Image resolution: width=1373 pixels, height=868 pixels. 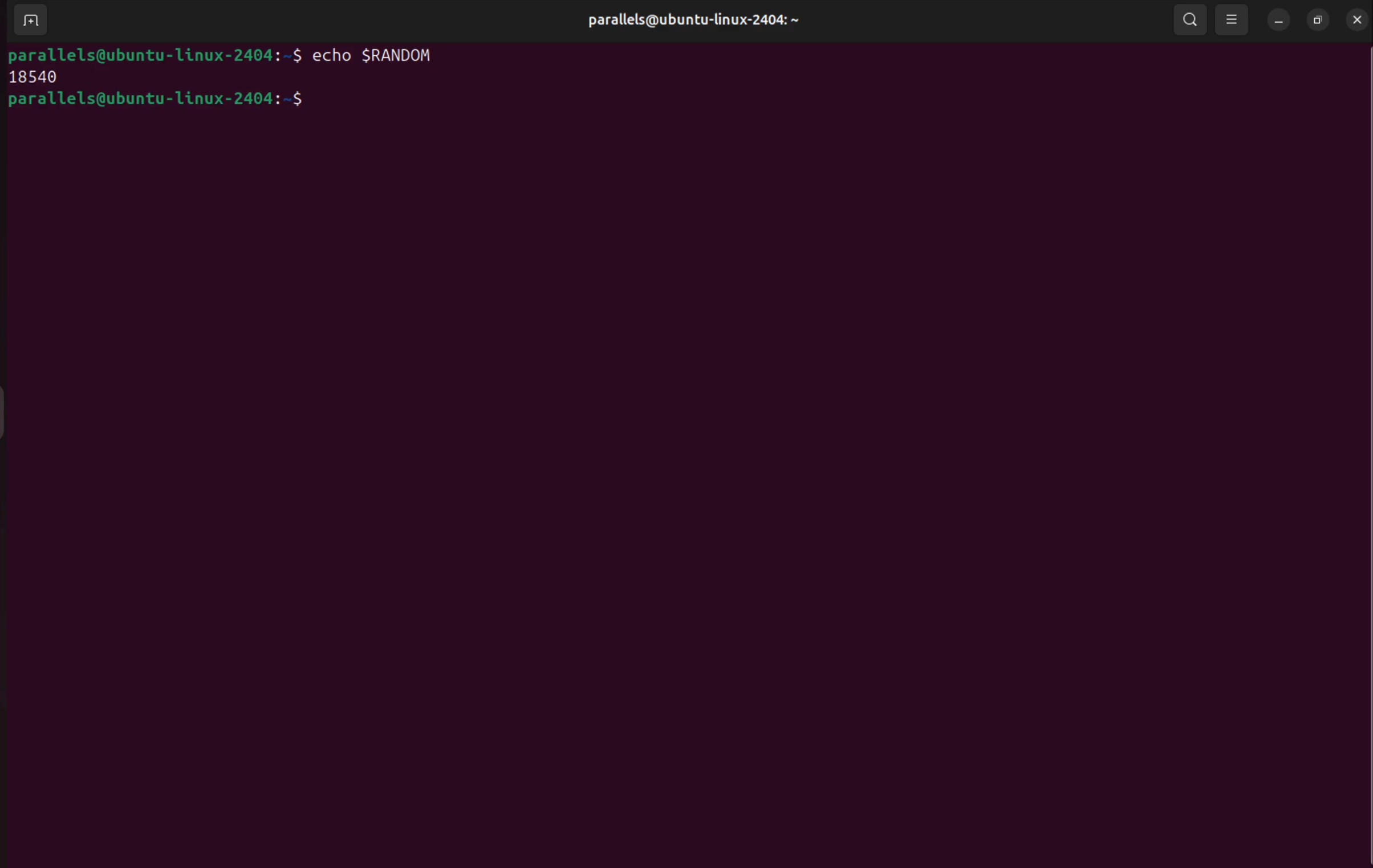 What do you see at coordinates (1318, 20) in the screenshot?
I see `resize` at bounding box center [1318, 20].